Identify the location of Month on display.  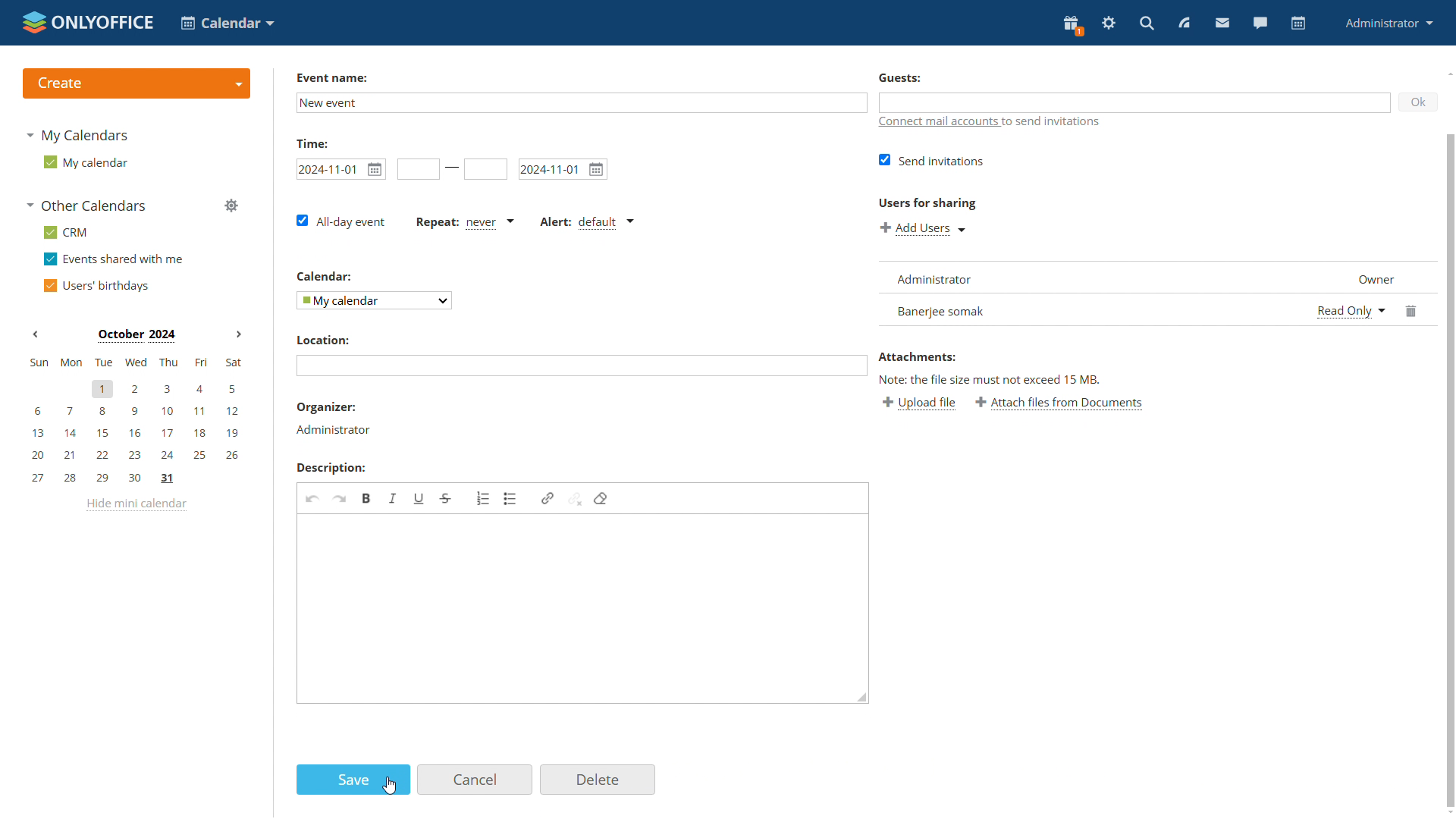
(135, 335).